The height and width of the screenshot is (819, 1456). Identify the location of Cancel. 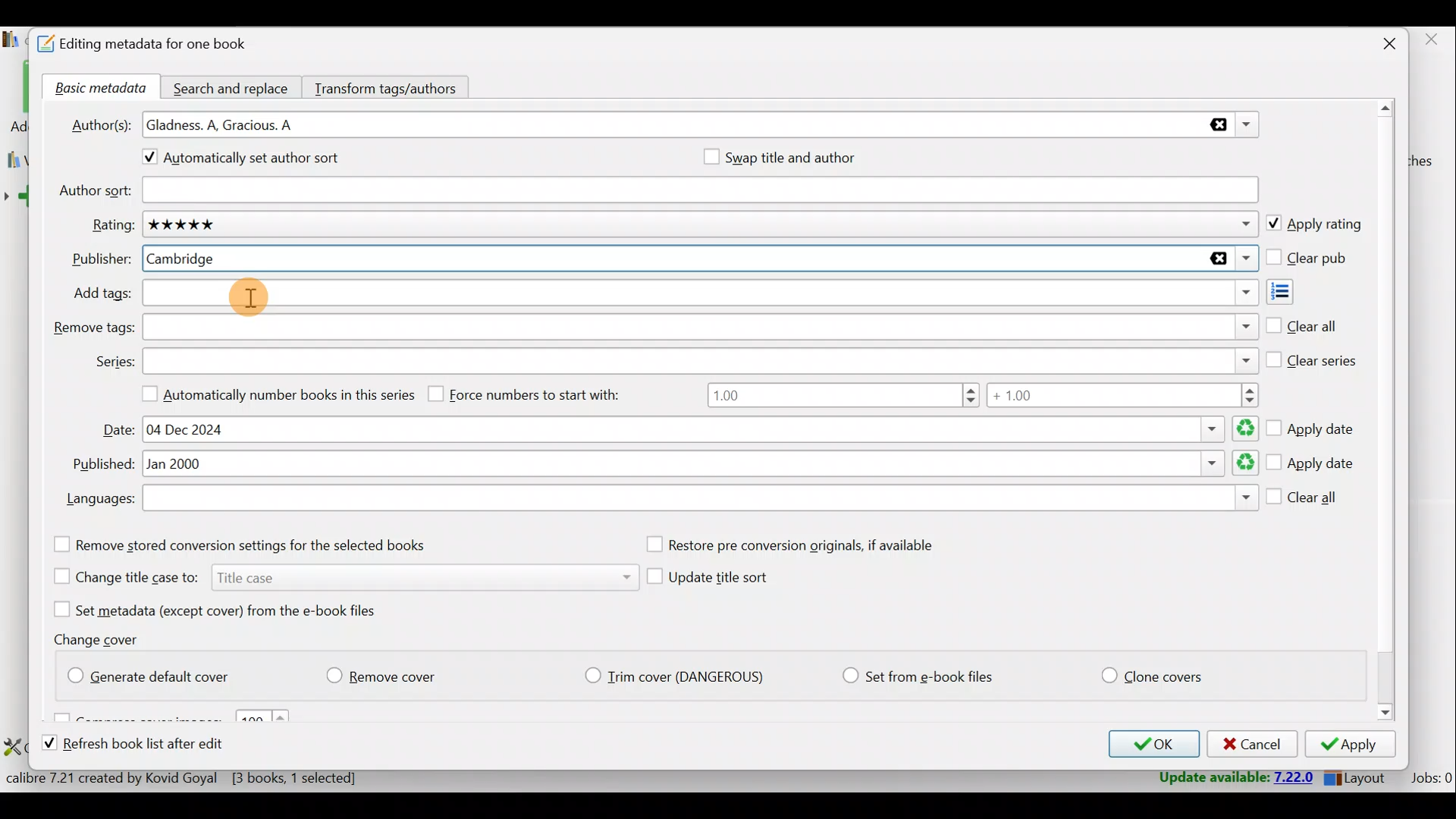
(1250, 745).